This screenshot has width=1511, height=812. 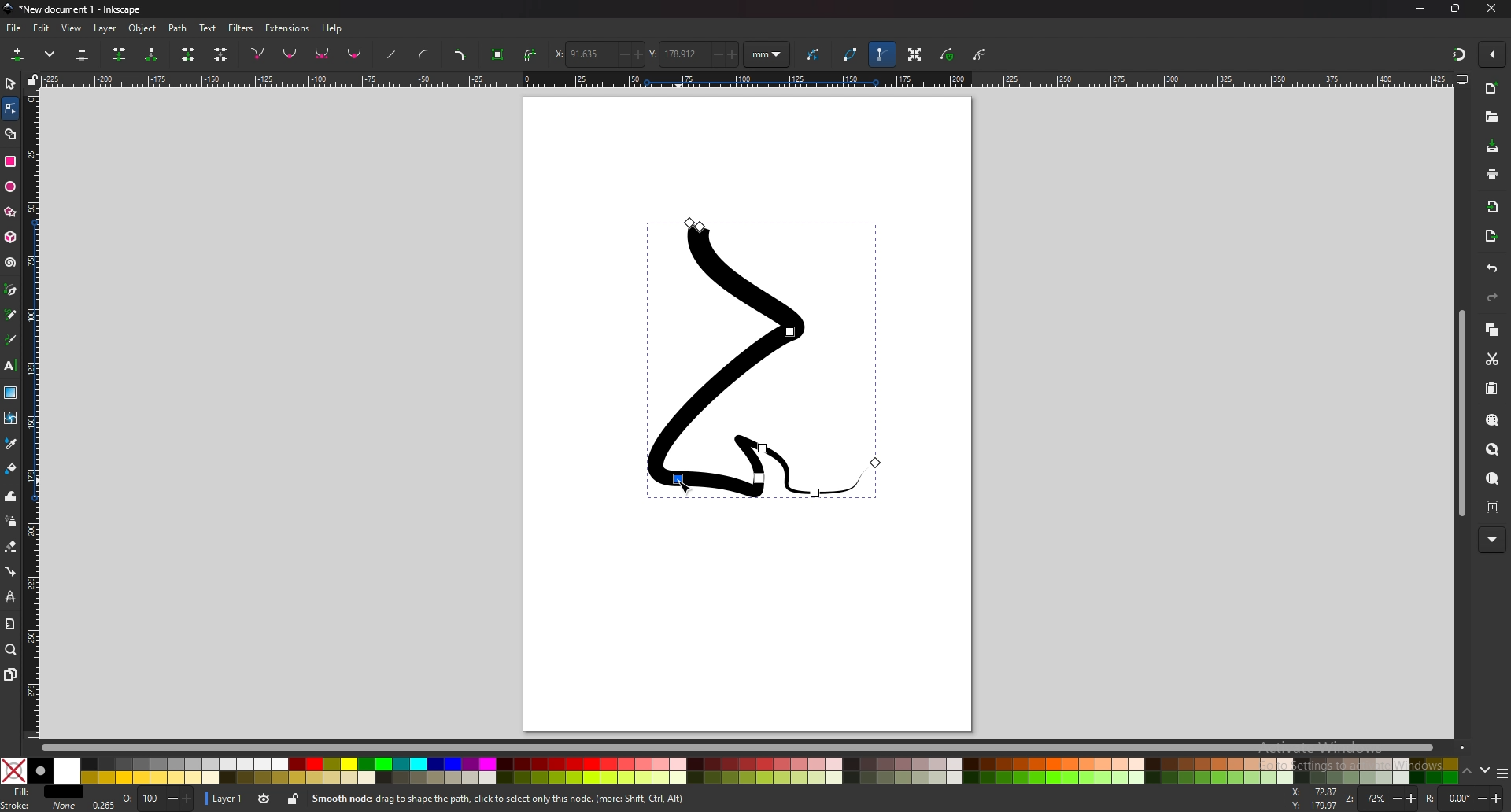 What do you see at coordinates (18, 55) in the screenshot?
I see `insert new nodes` at bounding box center [18, 55].